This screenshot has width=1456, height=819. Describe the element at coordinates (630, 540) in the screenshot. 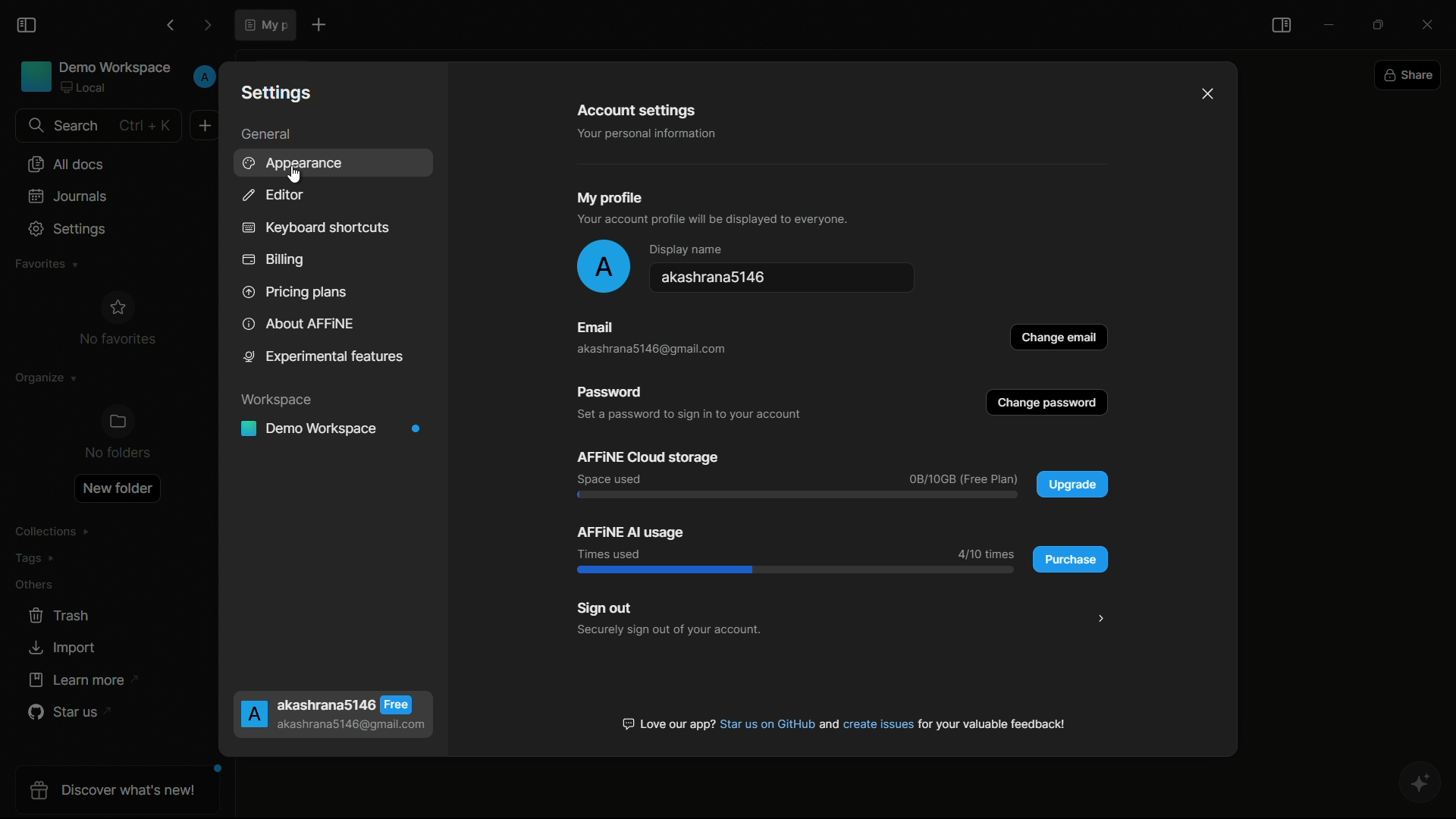

I see `AFFINE Al usage Times used` at that location.